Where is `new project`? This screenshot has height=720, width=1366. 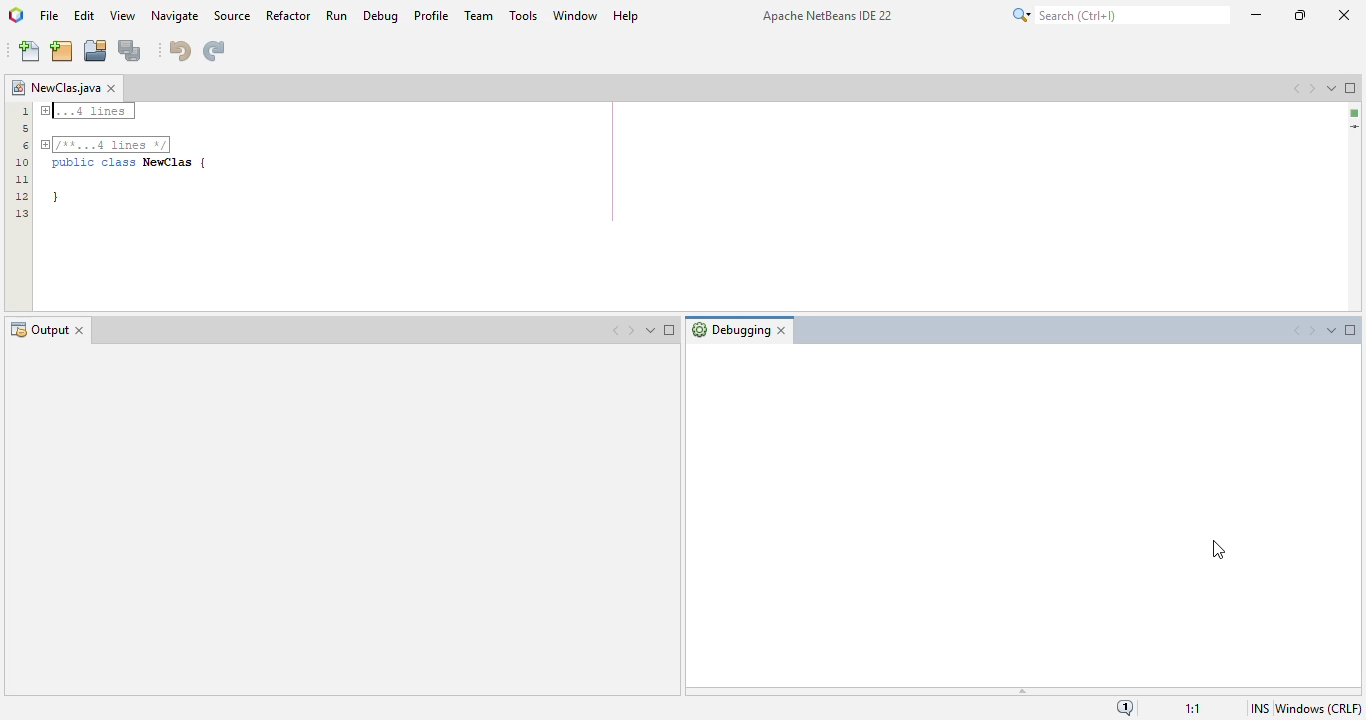
new project is located at coordinates (62, 51).